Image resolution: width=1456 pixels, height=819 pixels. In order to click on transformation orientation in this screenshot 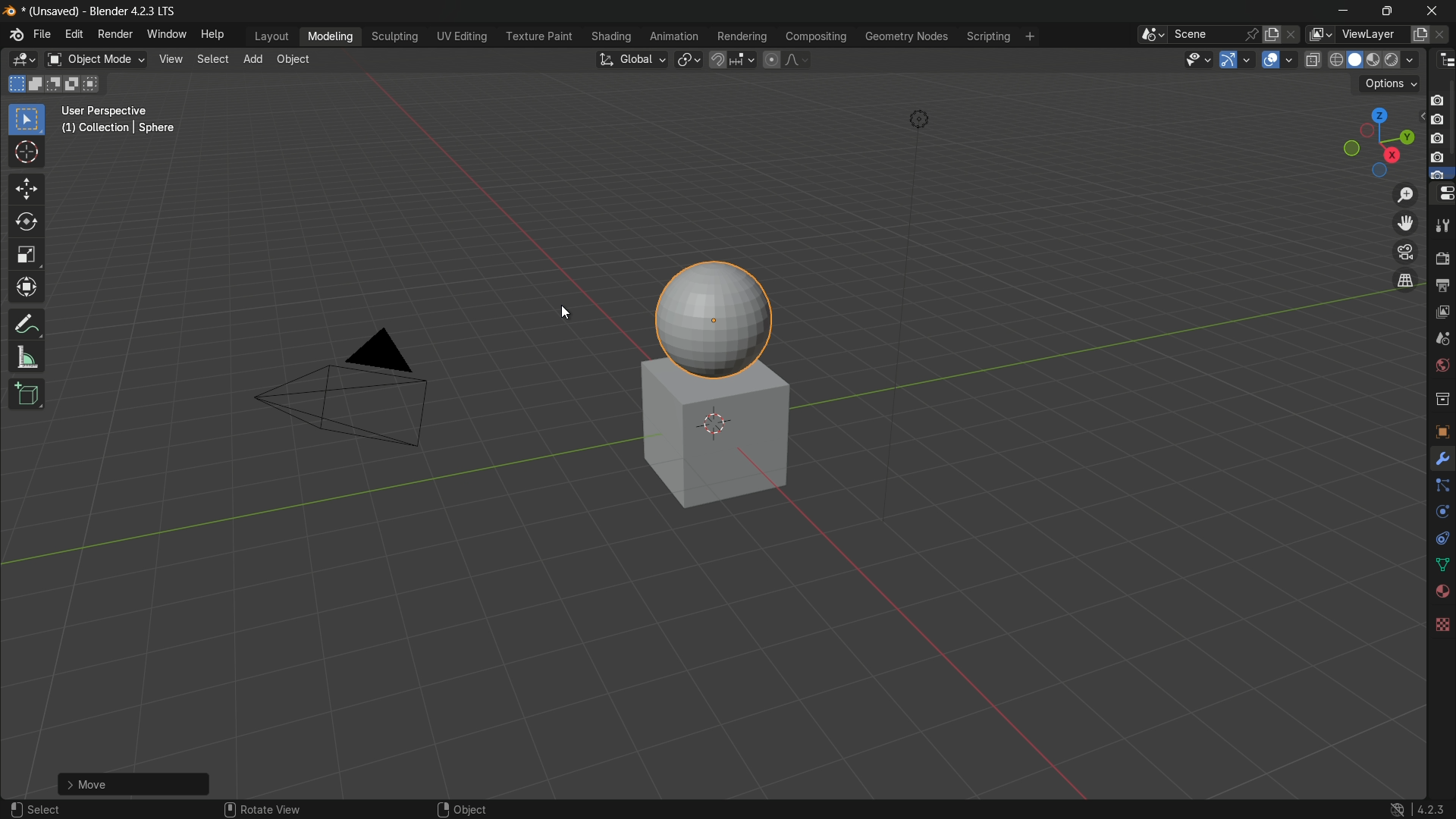, I will do `click(632, 59)`.